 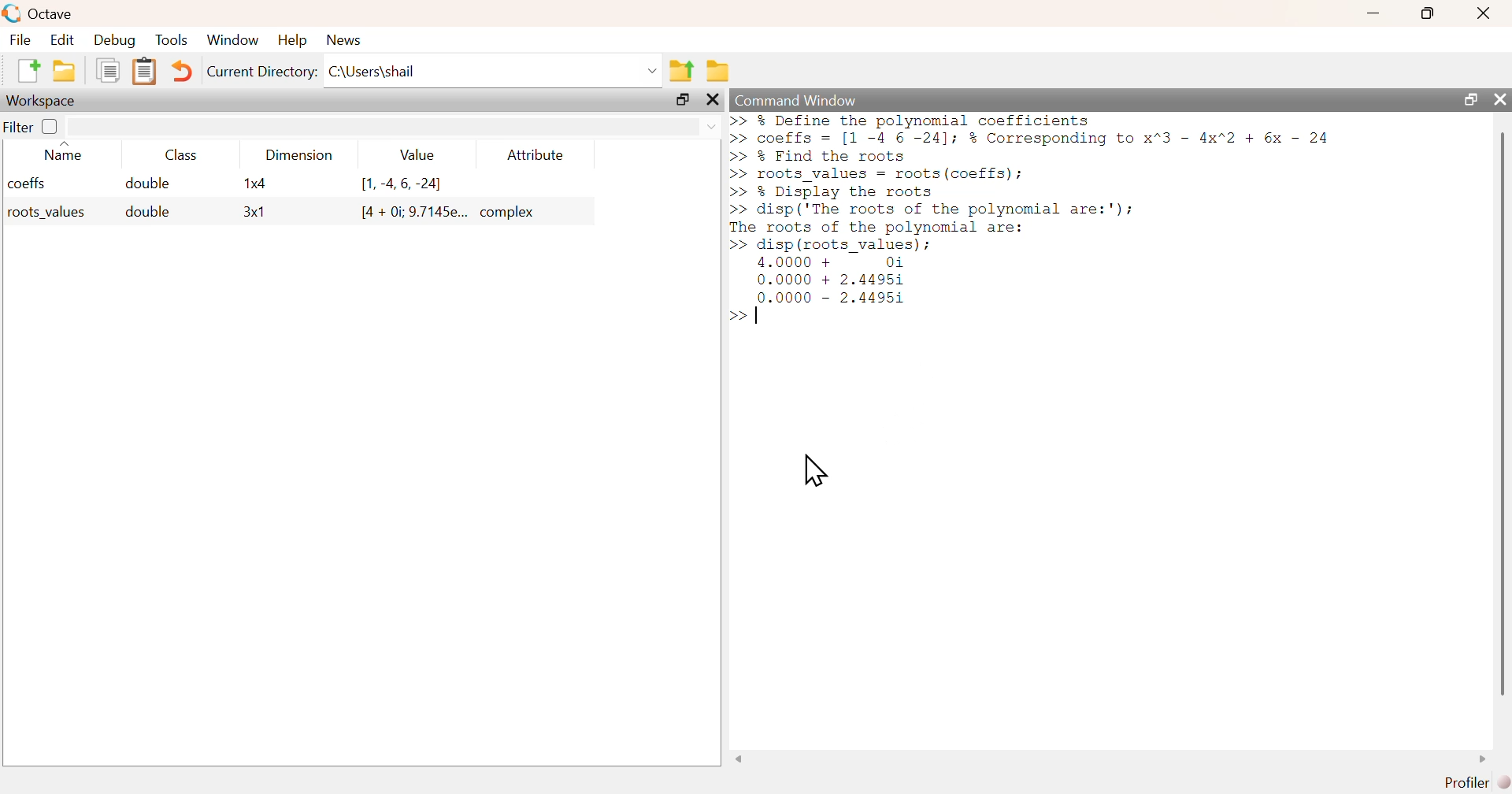 What do you see at coordinates (65, 150) in the screenshot?
I see `Name` at bounding box center [65, 150].